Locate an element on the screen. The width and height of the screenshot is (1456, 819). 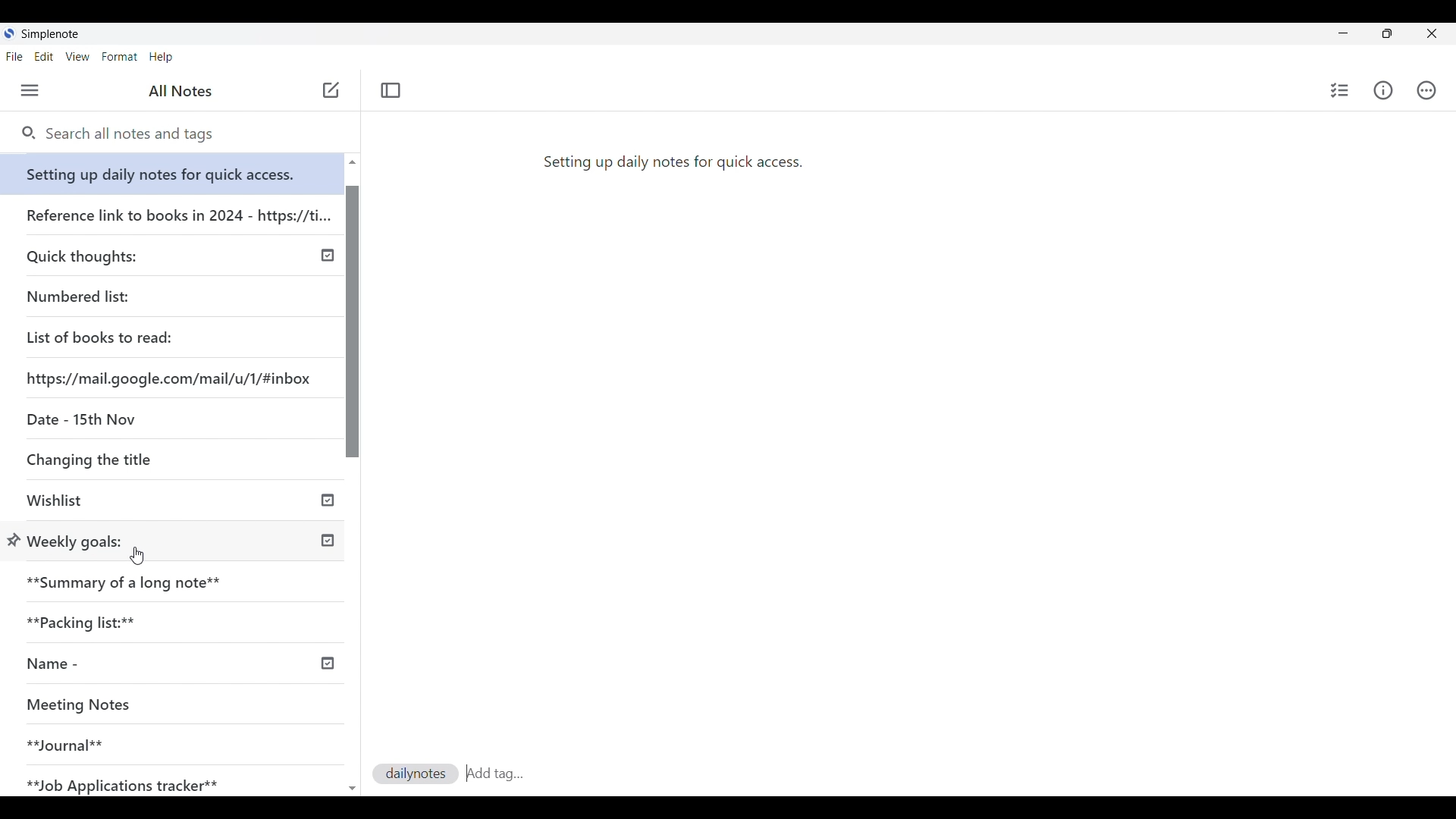
Menu is located at coordinates (30, 90).